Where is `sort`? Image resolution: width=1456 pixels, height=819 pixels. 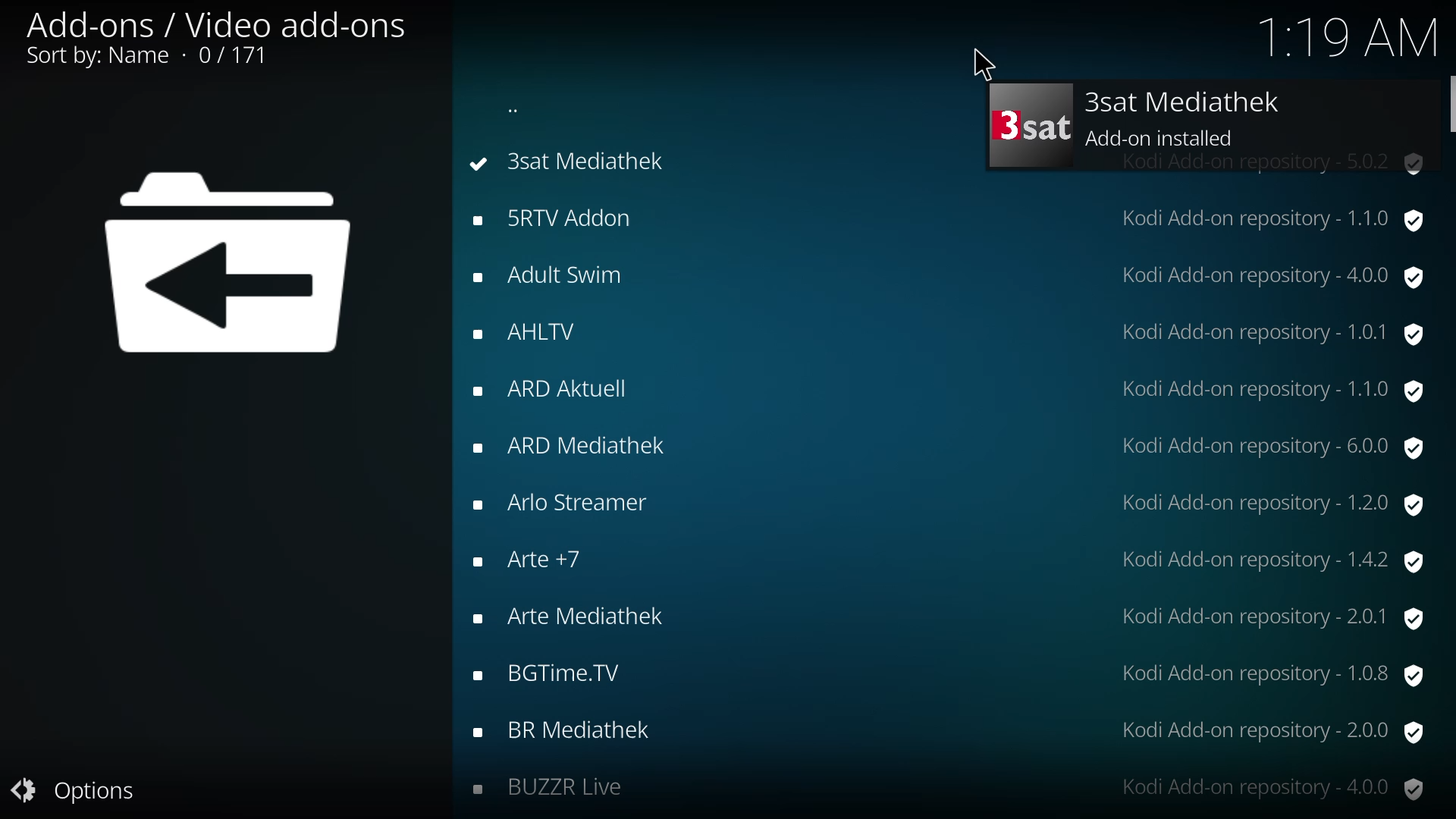
sort is located at coordinates (148, 58).